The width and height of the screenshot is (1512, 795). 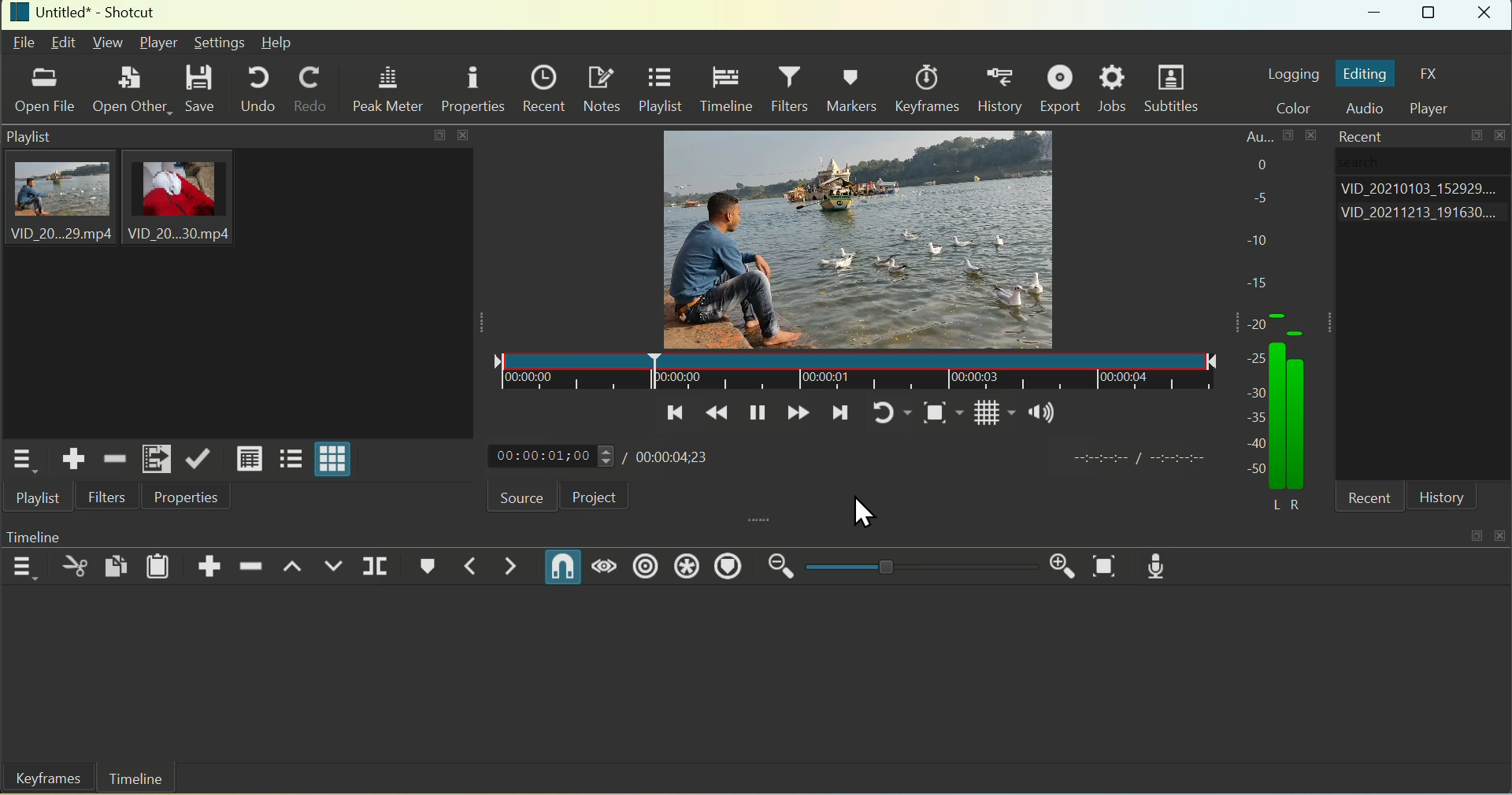 I want to click on File, so click(x=24, y=44).